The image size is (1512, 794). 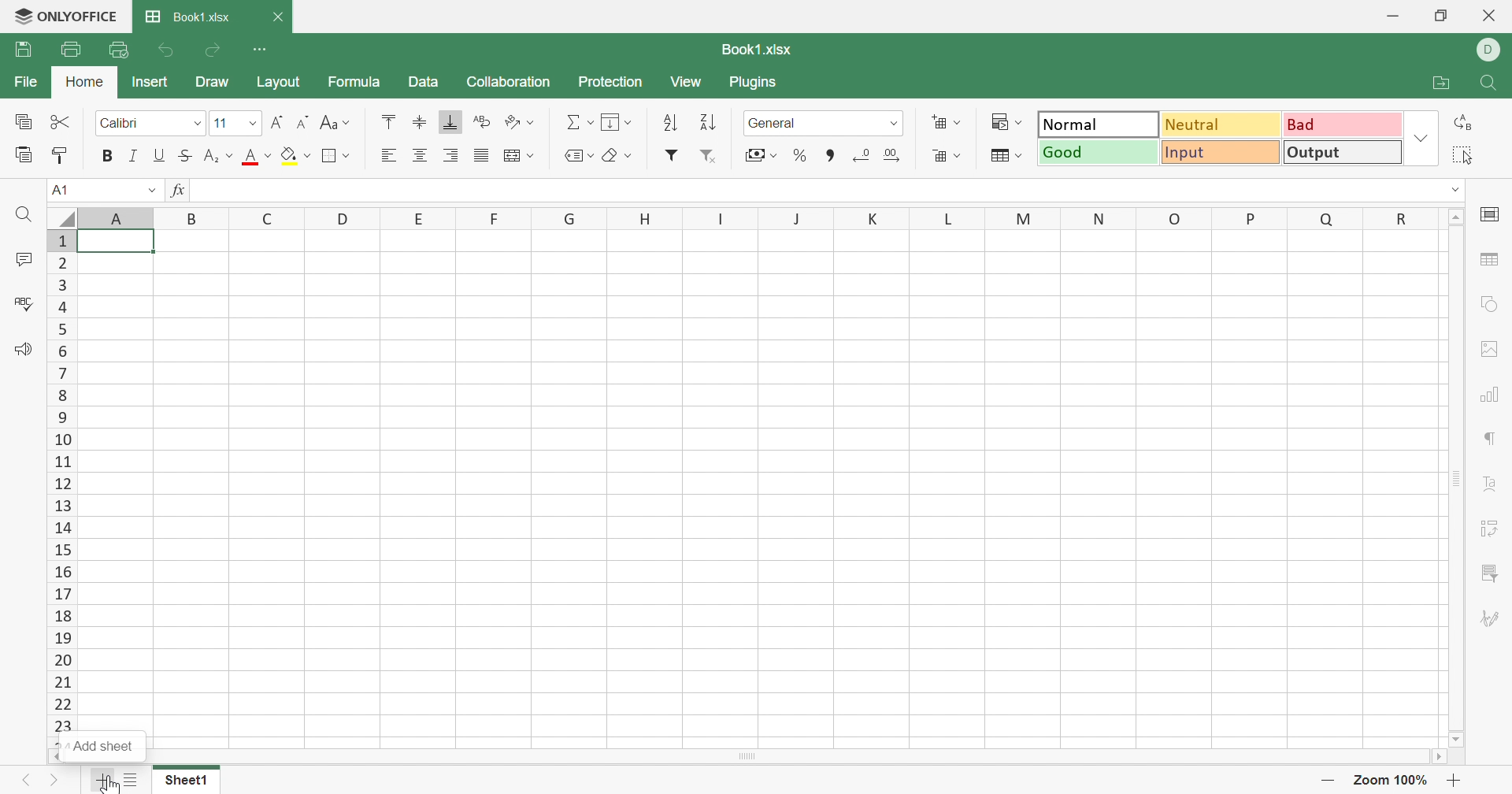 I want to click on I, so click(x=718, y=217).